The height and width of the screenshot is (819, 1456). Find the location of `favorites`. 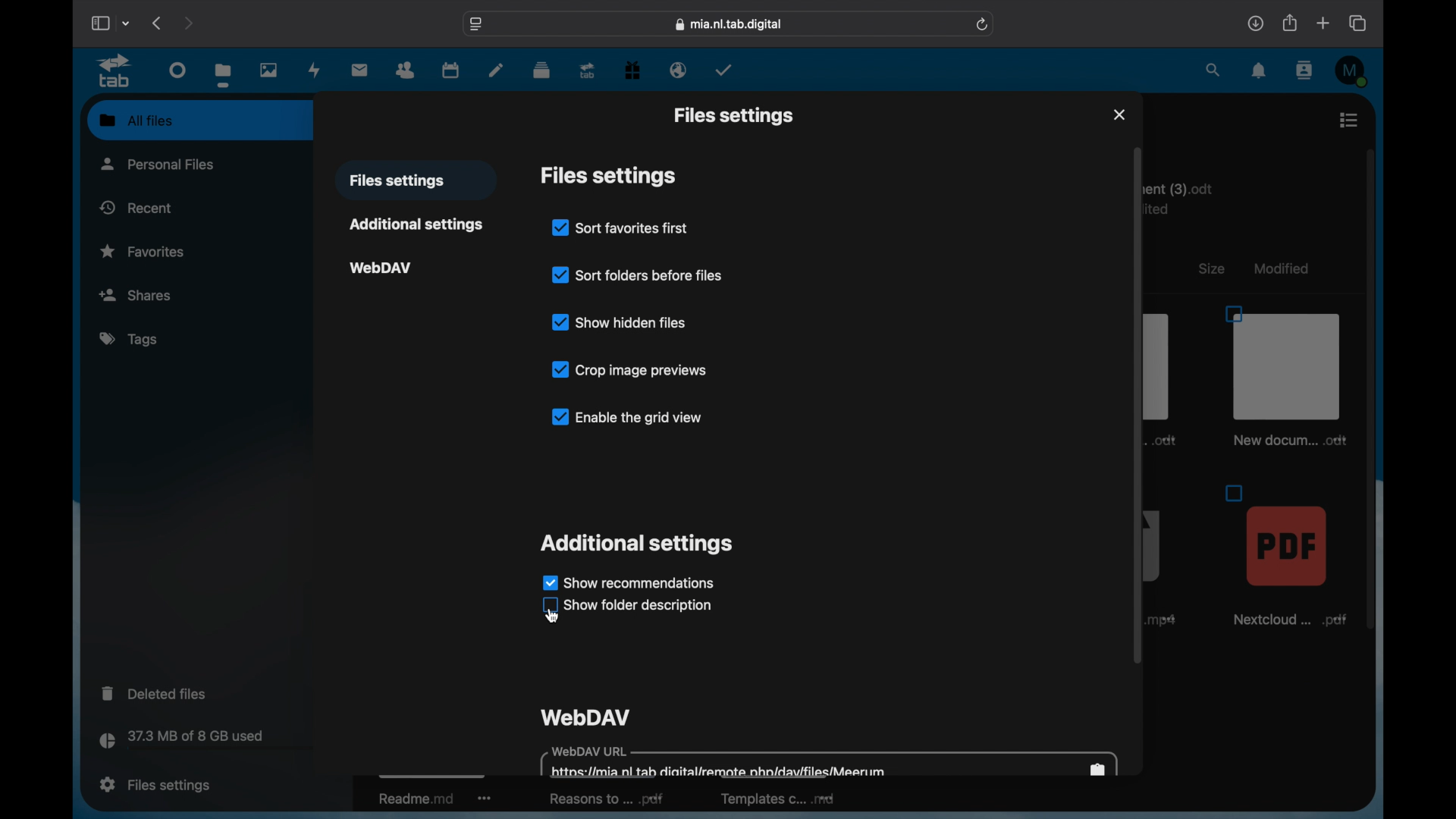

favorites is located at coordinates (143, 252).